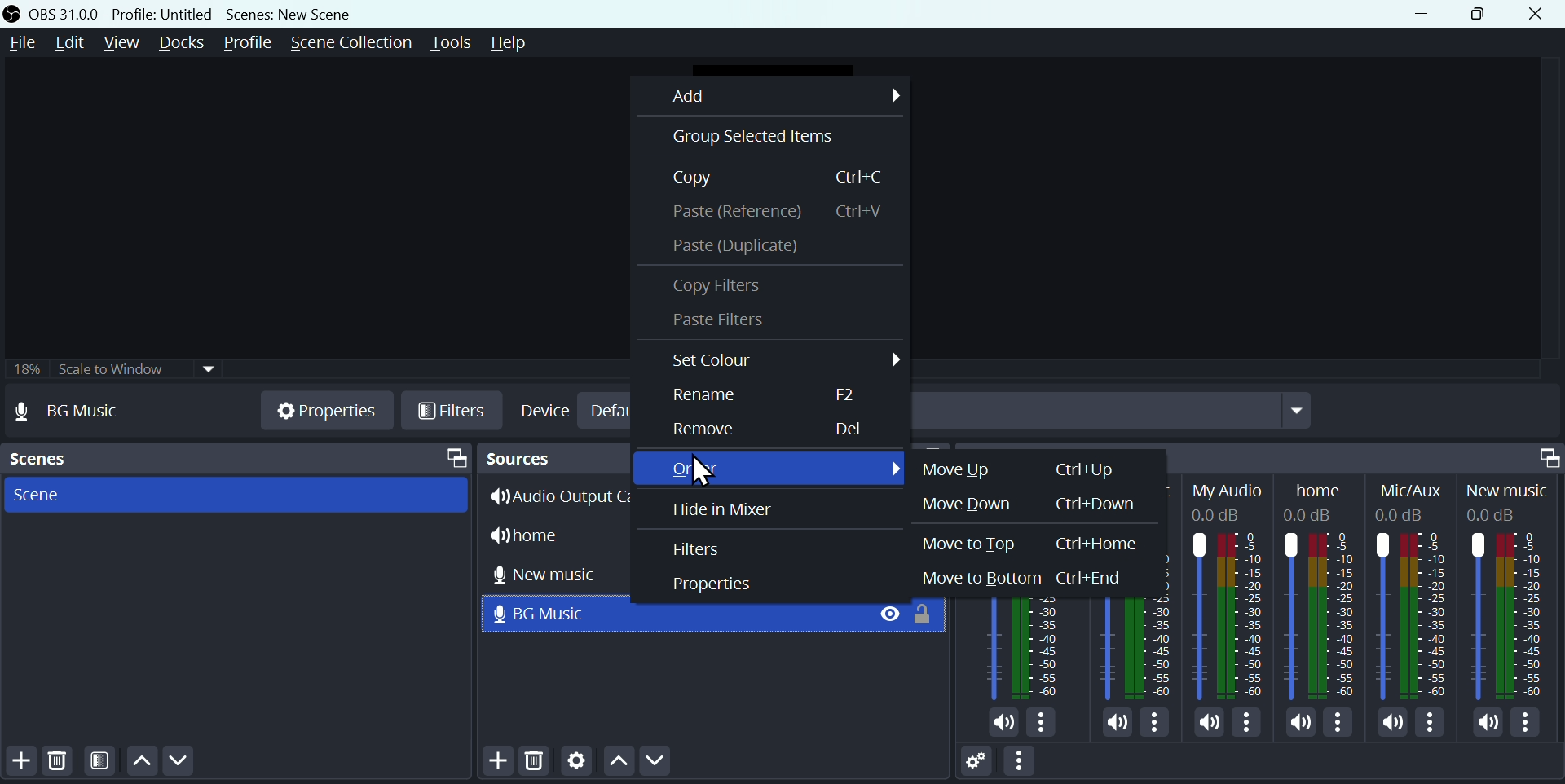 Image resolution: width=1565 pixels, height=784 pixels. Describe the element at coordinates (452, 456) in the screenshot. I see `maximize` at that location.